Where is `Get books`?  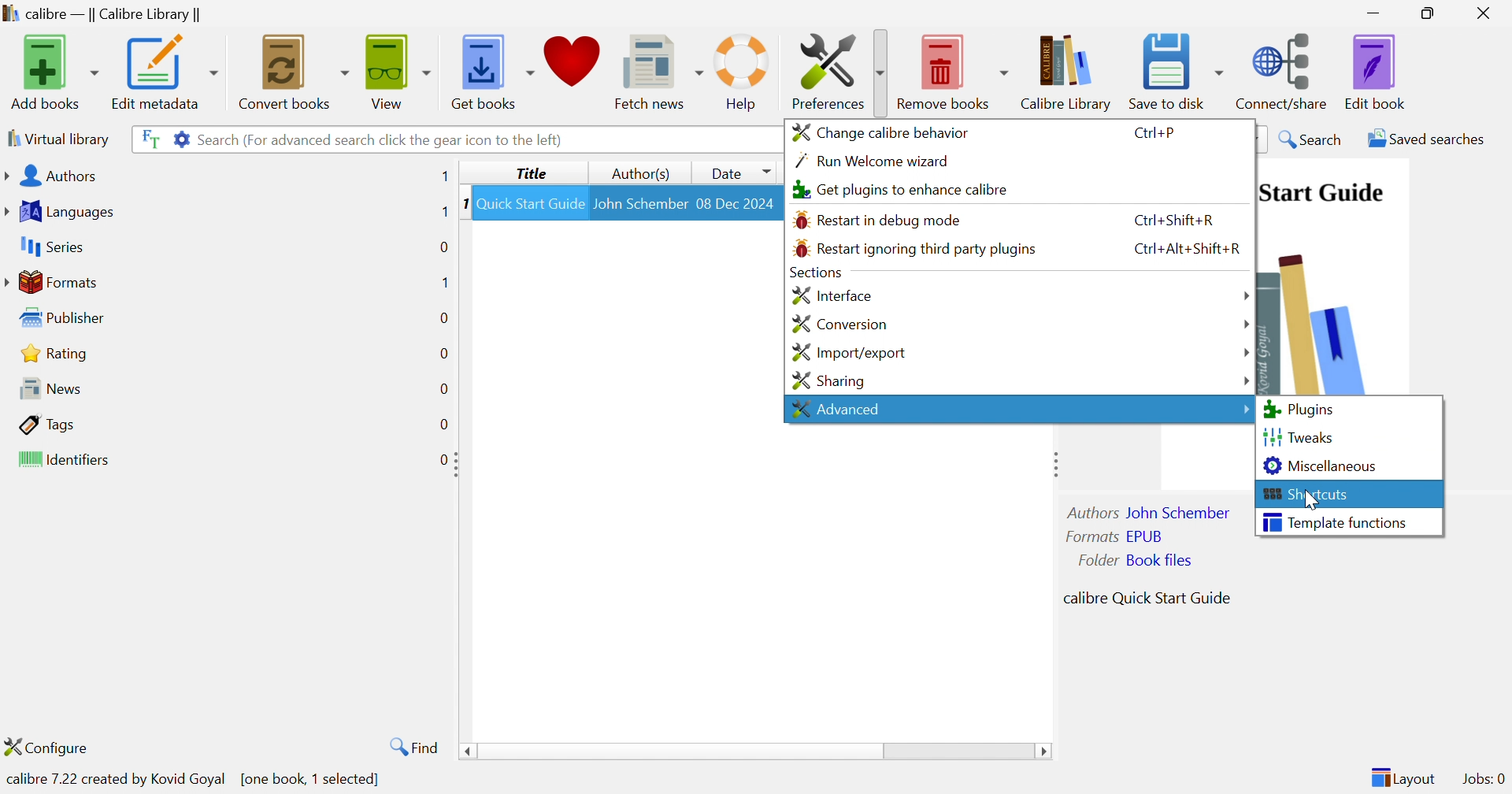
Get books is located at coordinates (491, 68).